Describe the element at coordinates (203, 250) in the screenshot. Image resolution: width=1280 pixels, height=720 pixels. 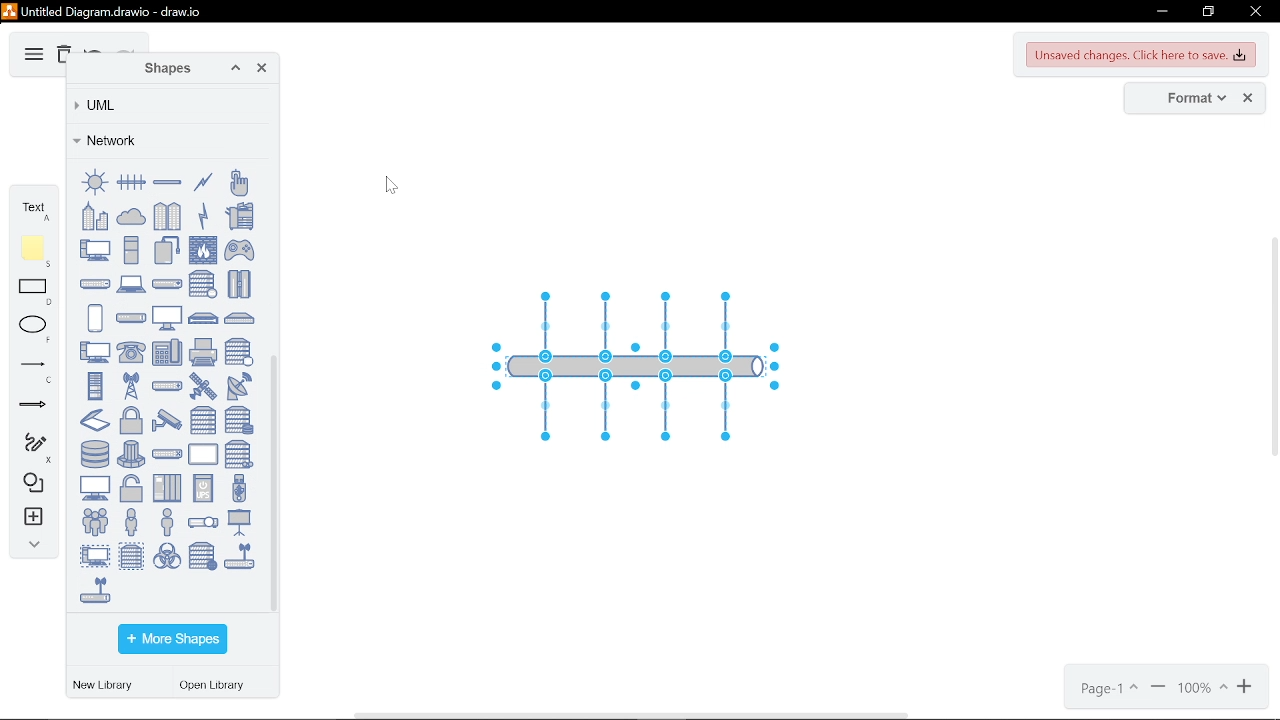
I see `firewall` at that location.